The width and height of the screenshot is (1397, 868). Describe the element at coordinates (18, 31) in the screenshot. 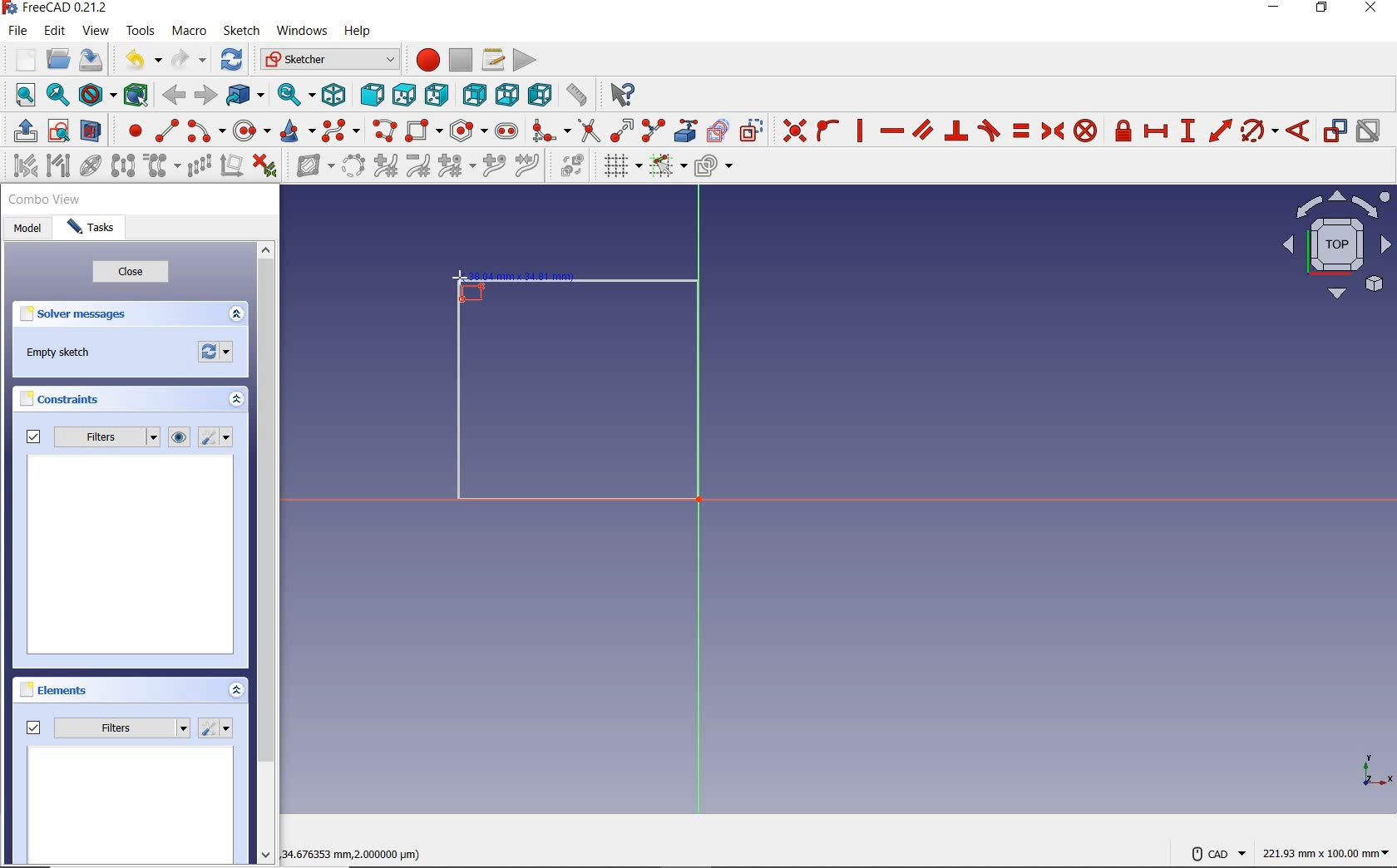

I see `file` at that location.